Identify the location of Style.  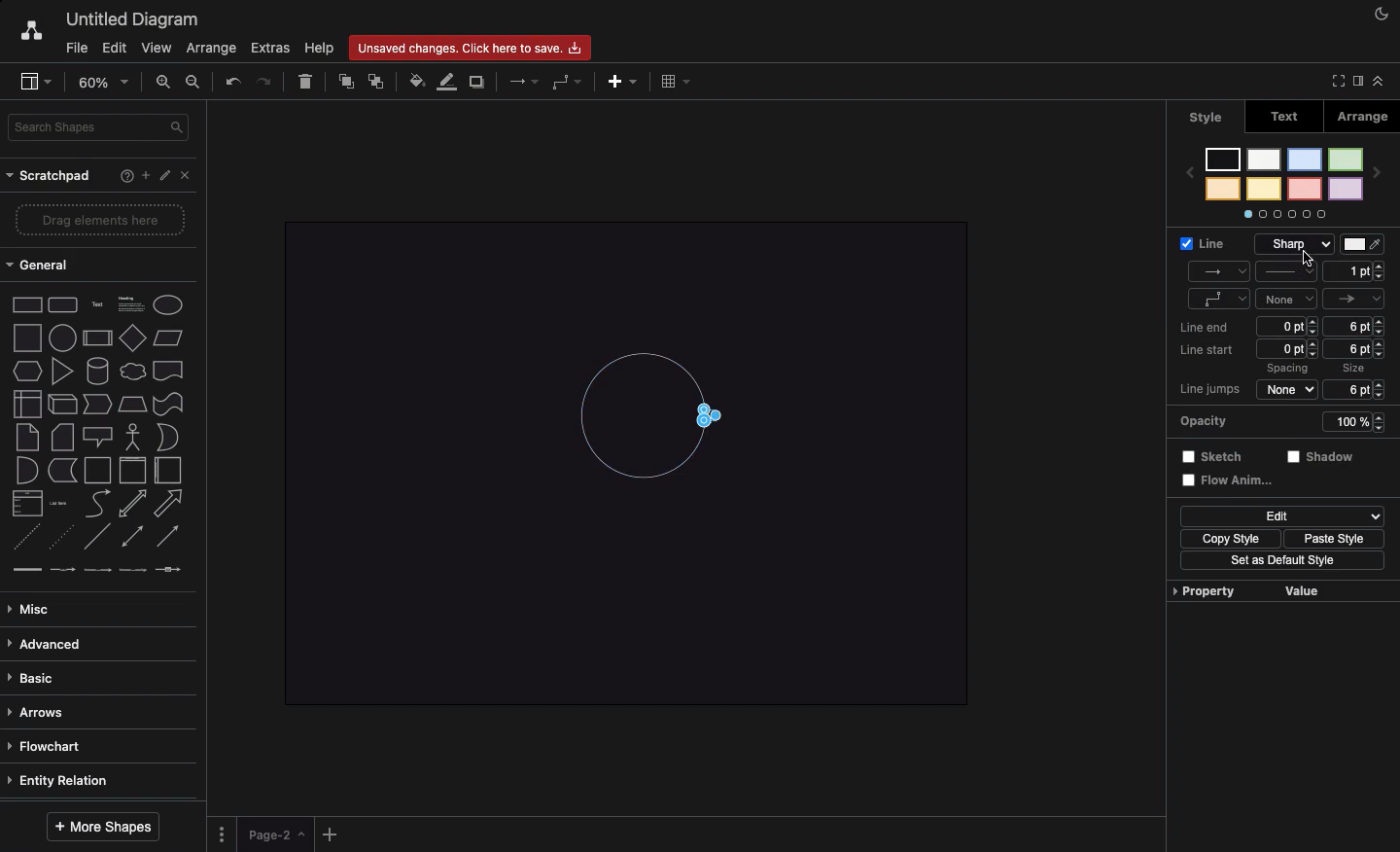
(1288, 272).